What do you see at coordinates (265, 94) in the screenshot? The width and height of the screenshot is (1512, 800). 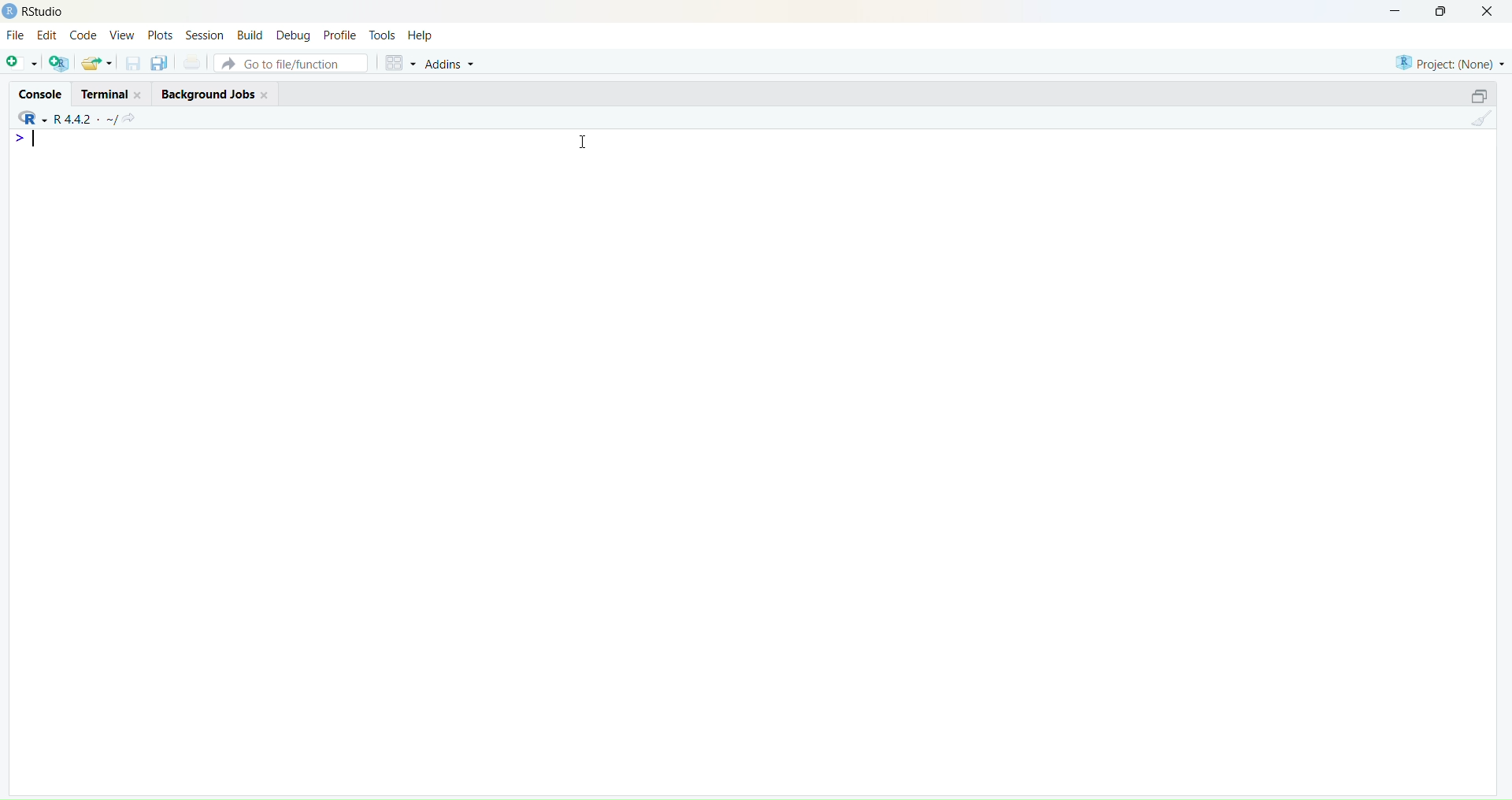 I see `close` at bounding box center [265, 94].